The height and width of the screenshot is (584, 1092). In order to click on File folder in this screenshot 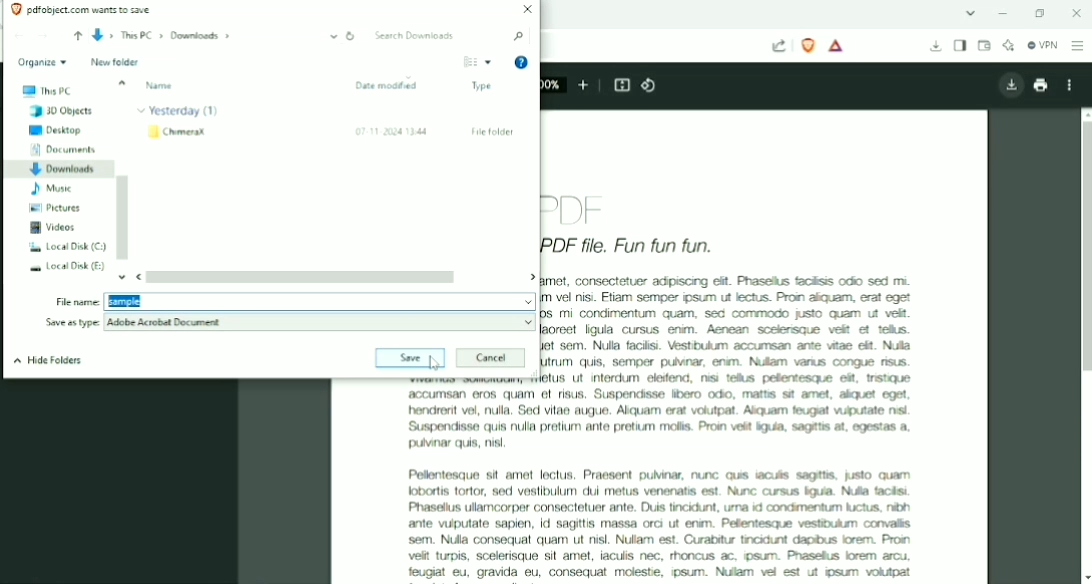, I will do `click(493, 132)`.